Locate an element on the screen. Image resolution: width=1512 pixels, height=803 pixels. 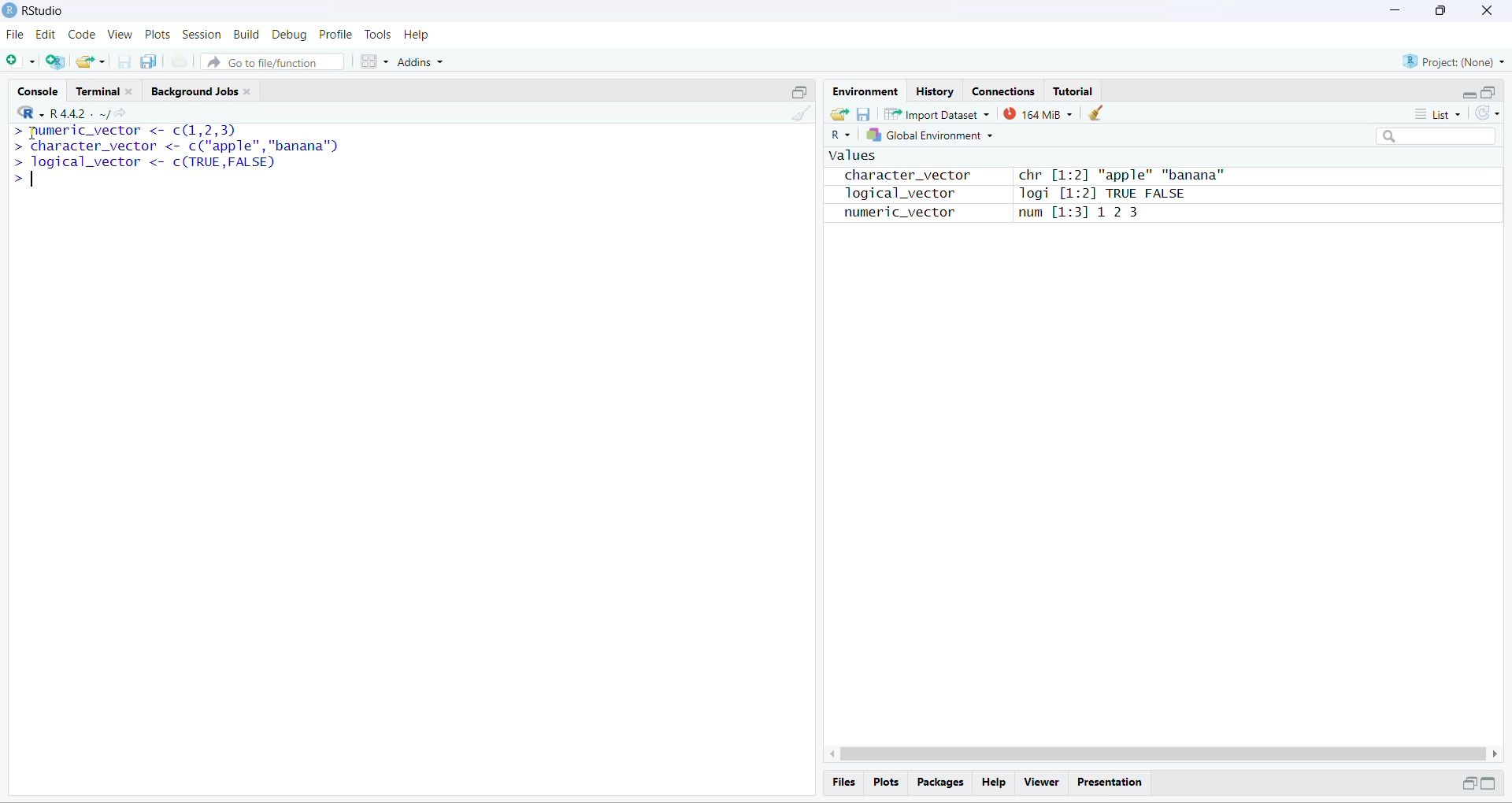
logi [1:2] TRUE FALSE is located at coordinates (1099, 194).